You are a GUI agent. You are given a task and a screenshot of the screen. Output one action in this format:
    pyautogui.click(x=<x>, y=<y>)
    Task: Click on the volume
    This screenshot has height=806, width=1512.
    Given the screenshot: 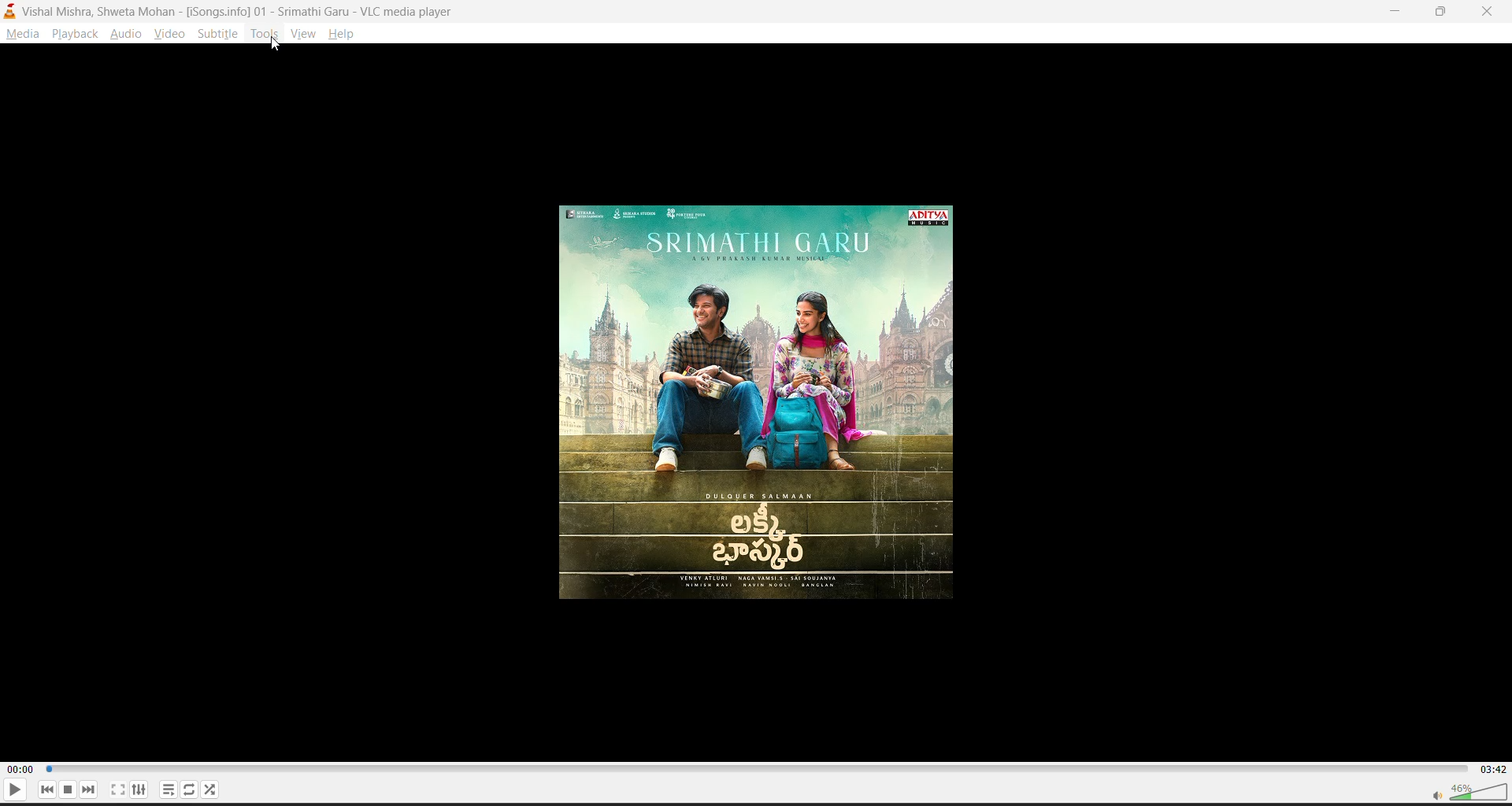 What is the action you would take?
    pyautogui.click(x=1462, y=790)
    